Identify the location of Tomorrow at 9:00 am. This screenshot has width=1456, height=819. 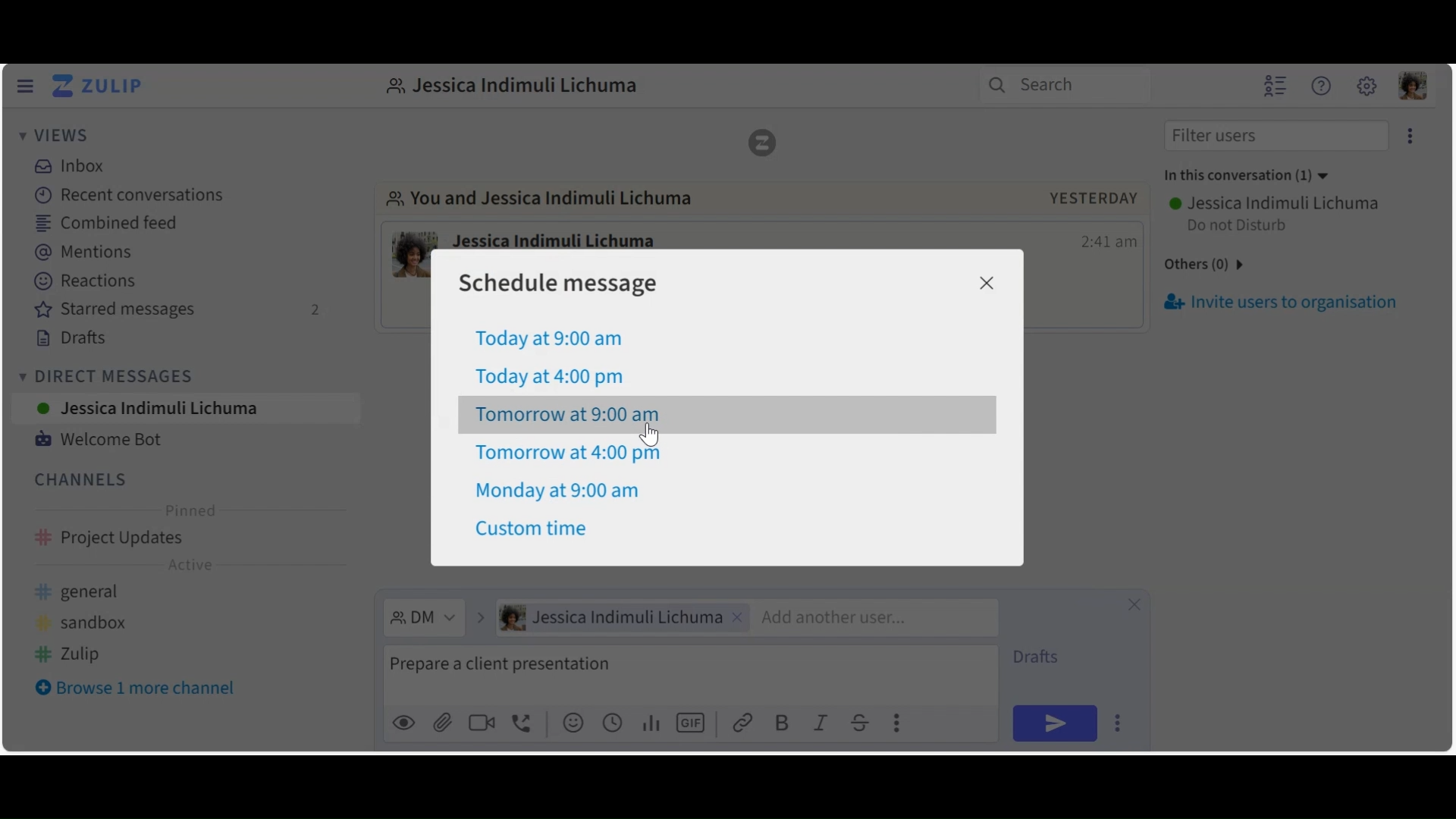
(563, 417).